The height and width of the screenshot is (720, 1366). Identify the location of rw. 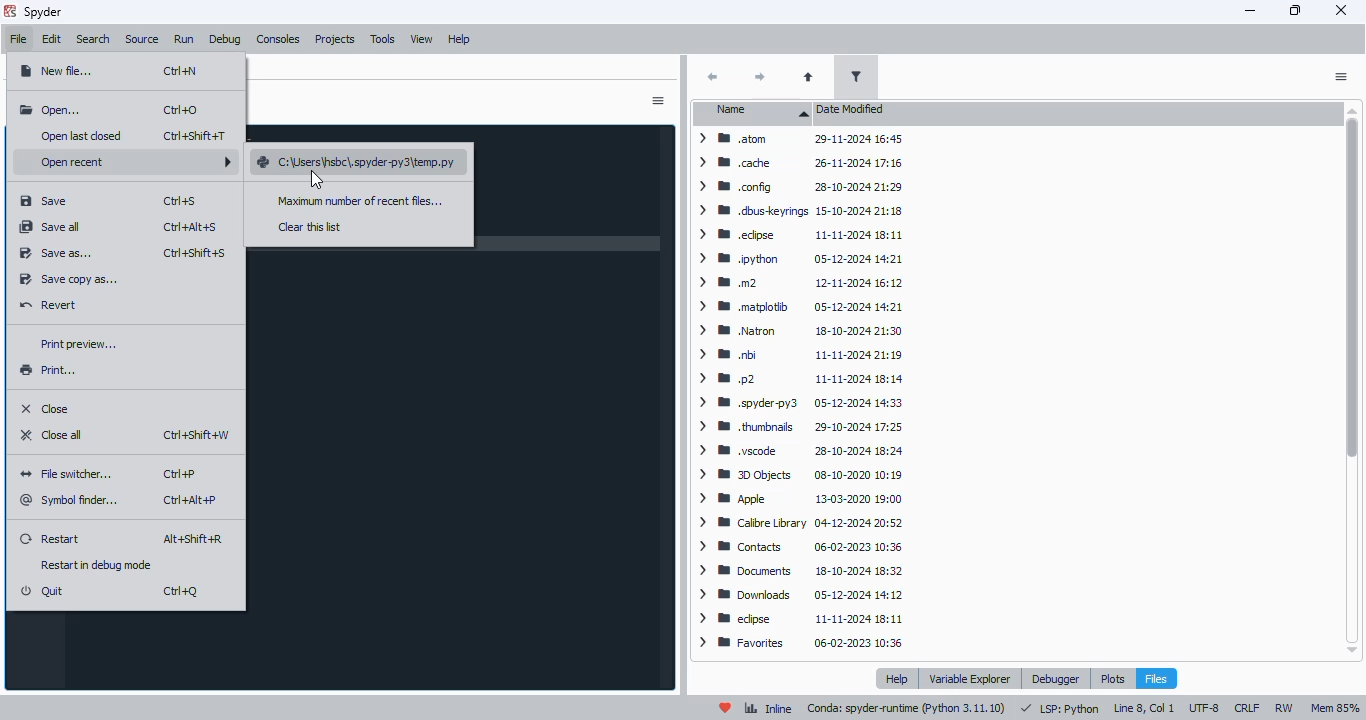
(1284, 706).